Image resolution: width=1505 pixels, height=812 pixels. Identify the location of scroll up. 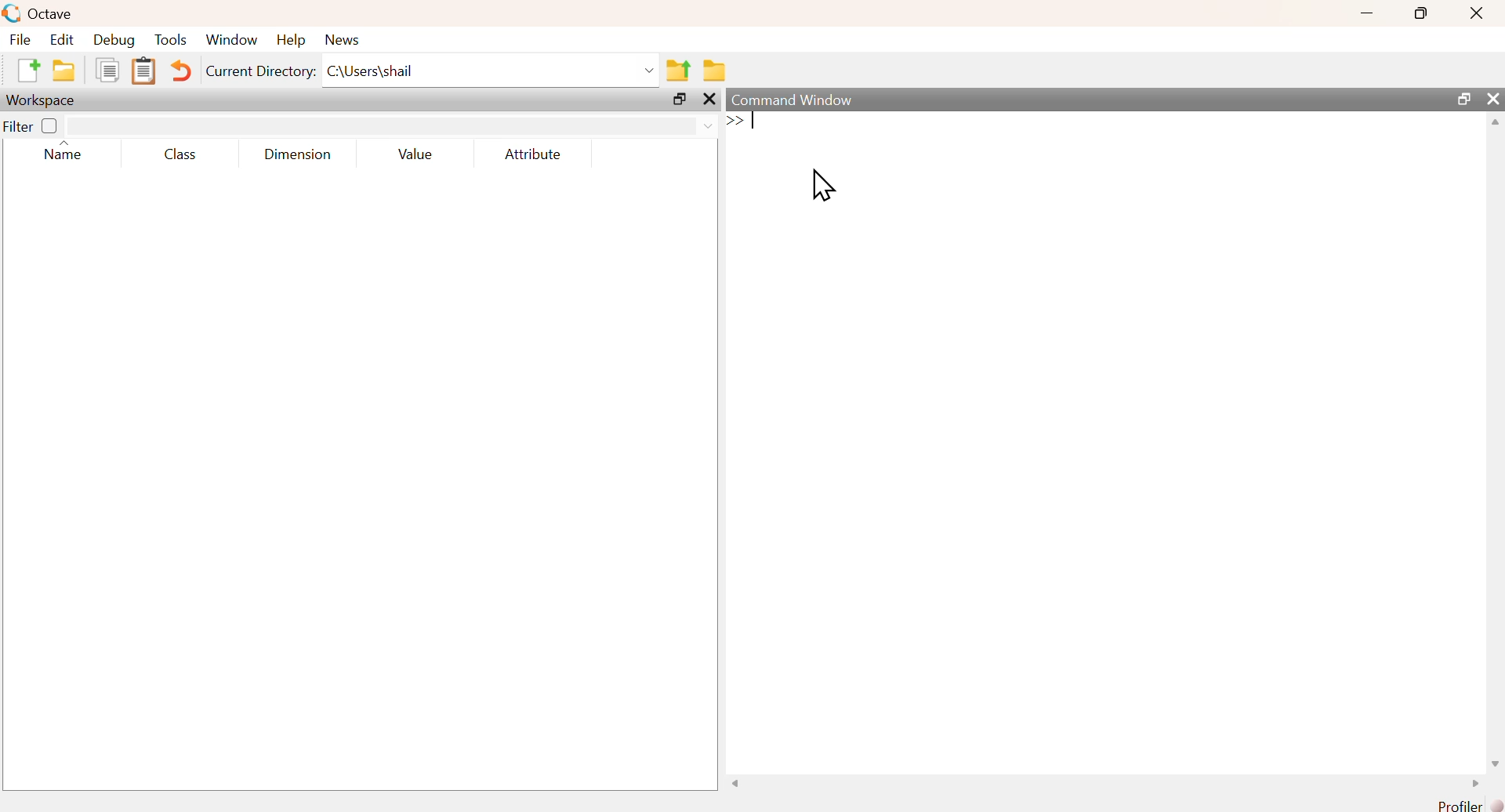
(1495, 123).